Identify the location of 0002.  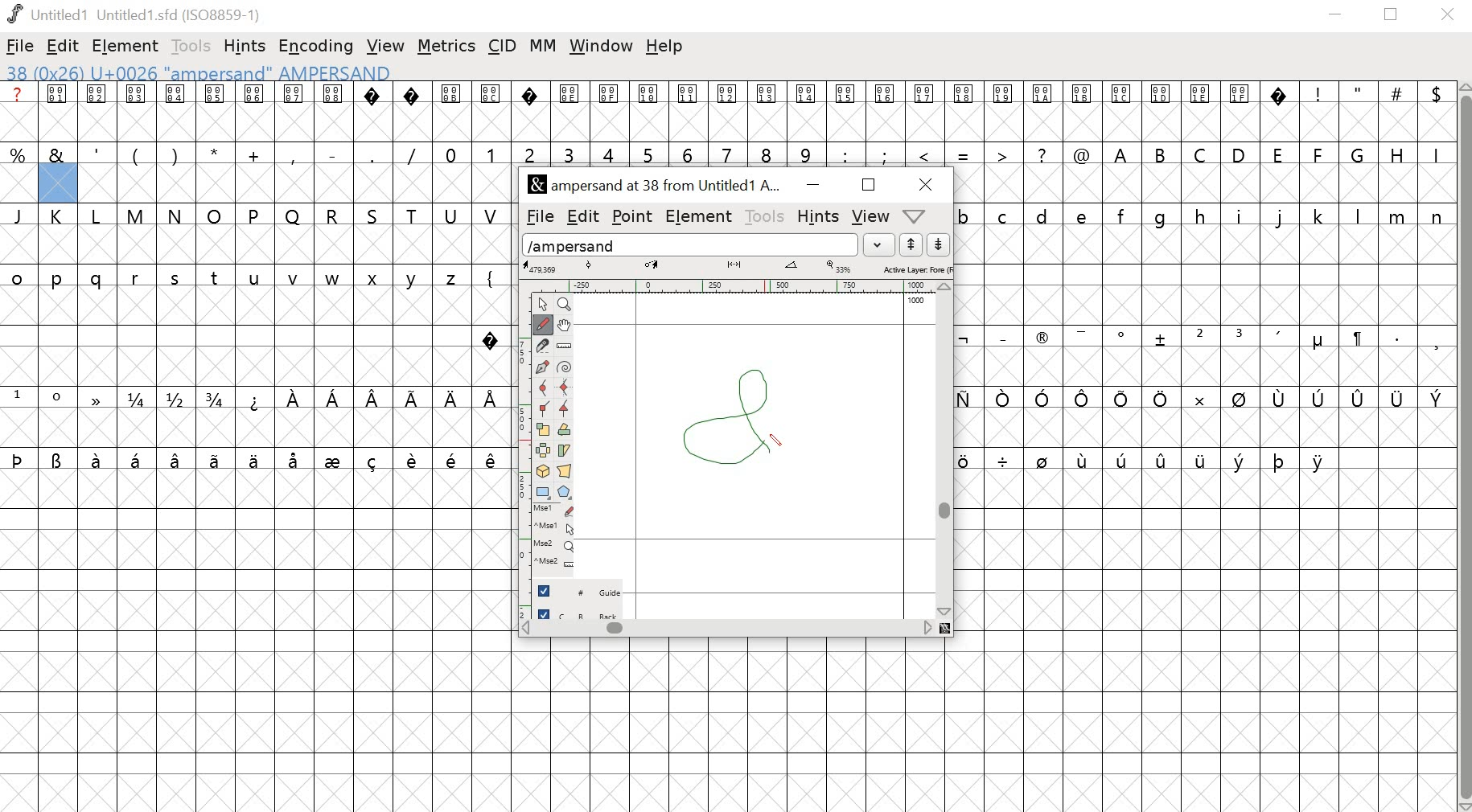
(98, 110).